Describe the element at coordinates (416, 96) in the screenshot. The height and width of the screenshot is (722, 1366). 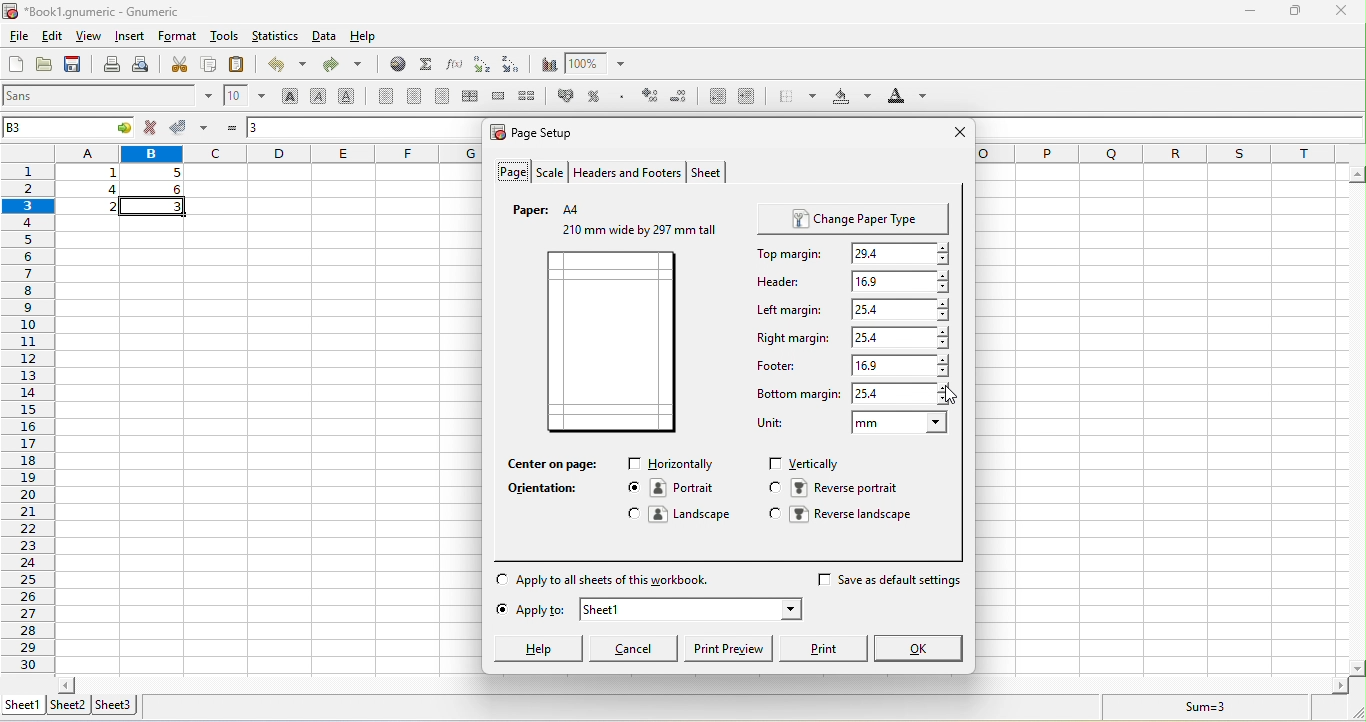
I see `center` at that location.